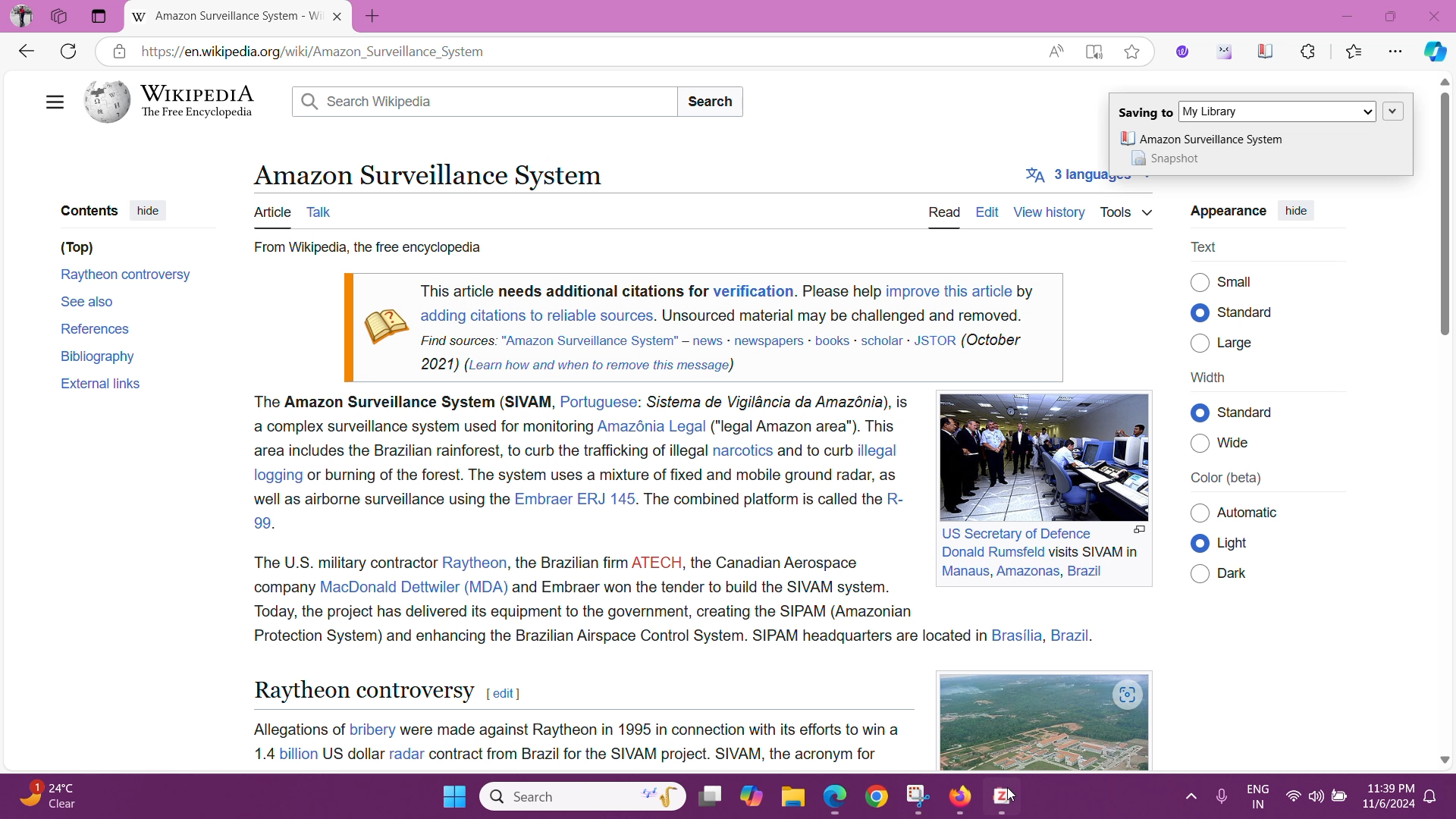  I want to click on 99, so click(262, 523).